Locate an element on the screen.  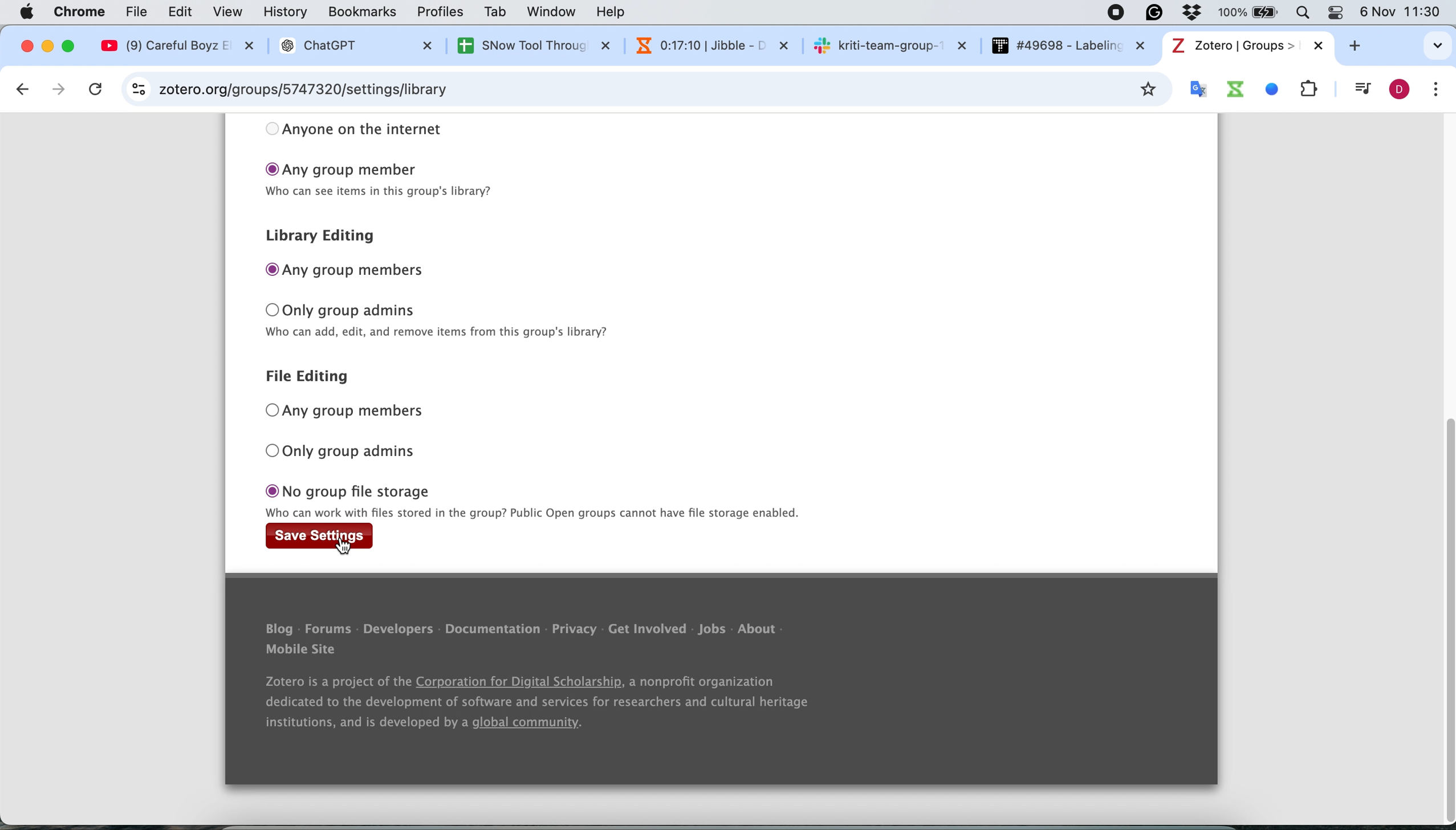
save settings is located at coordinates (316, 535).